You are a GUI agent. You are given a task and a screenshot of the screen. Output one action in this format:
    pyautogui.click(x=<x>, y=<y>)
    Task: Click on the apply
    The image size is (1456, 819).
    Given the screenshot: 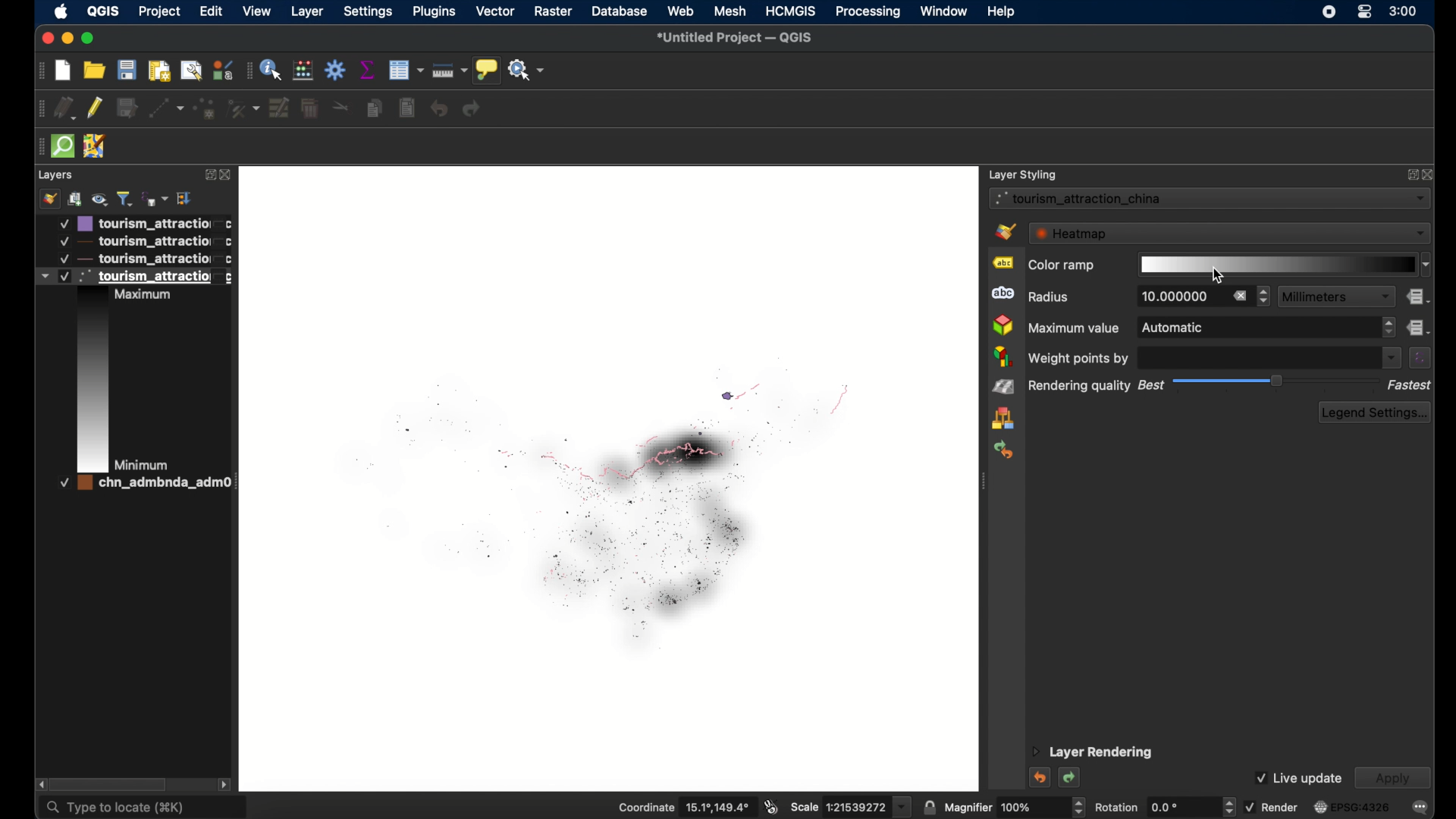 What is the action you would take?
    pyautogui.click(x=1392, y=779)
    